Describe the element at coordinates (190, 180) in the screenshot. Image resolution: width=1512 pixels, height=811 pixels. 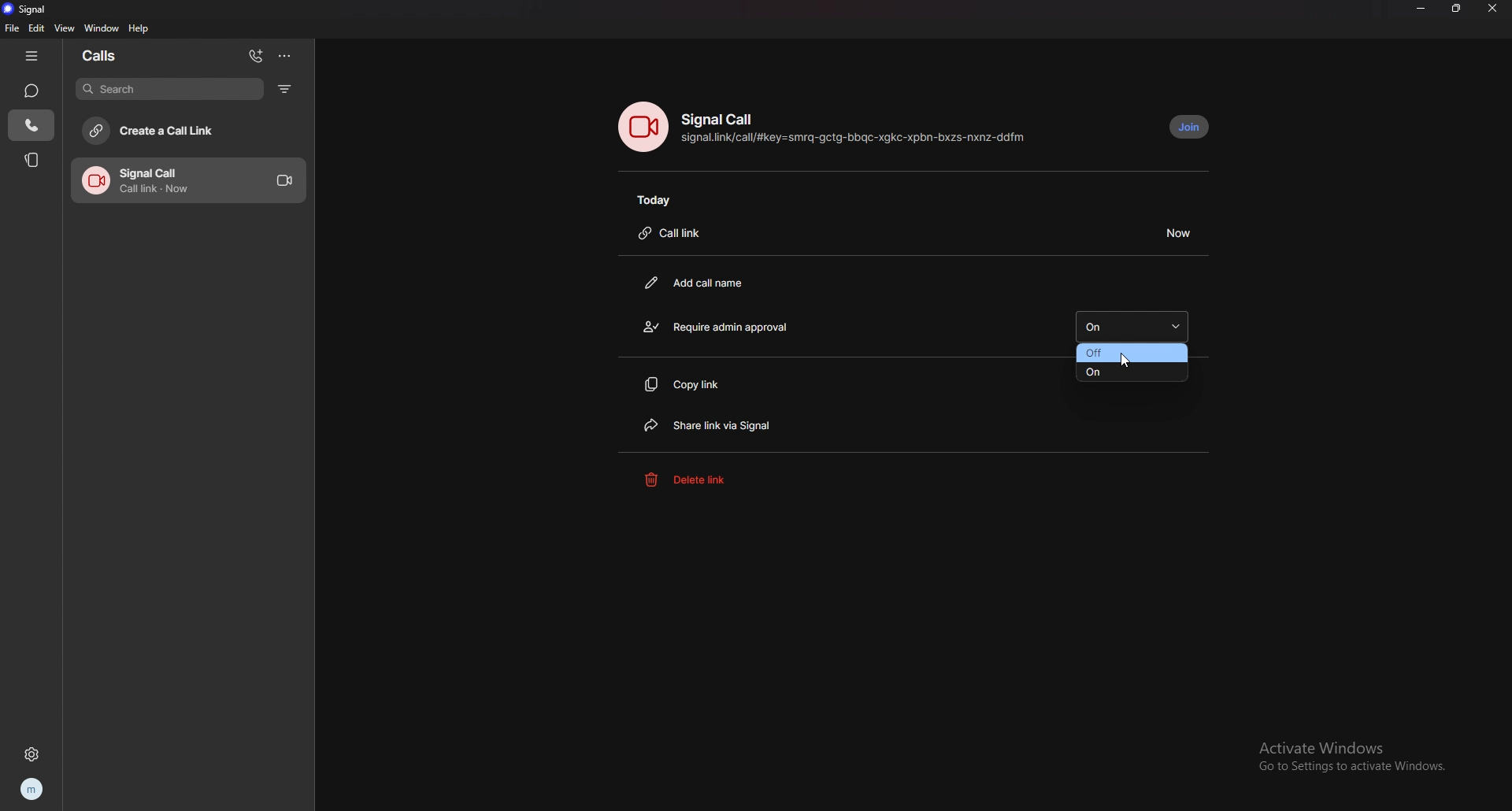
I see `call` at that location.